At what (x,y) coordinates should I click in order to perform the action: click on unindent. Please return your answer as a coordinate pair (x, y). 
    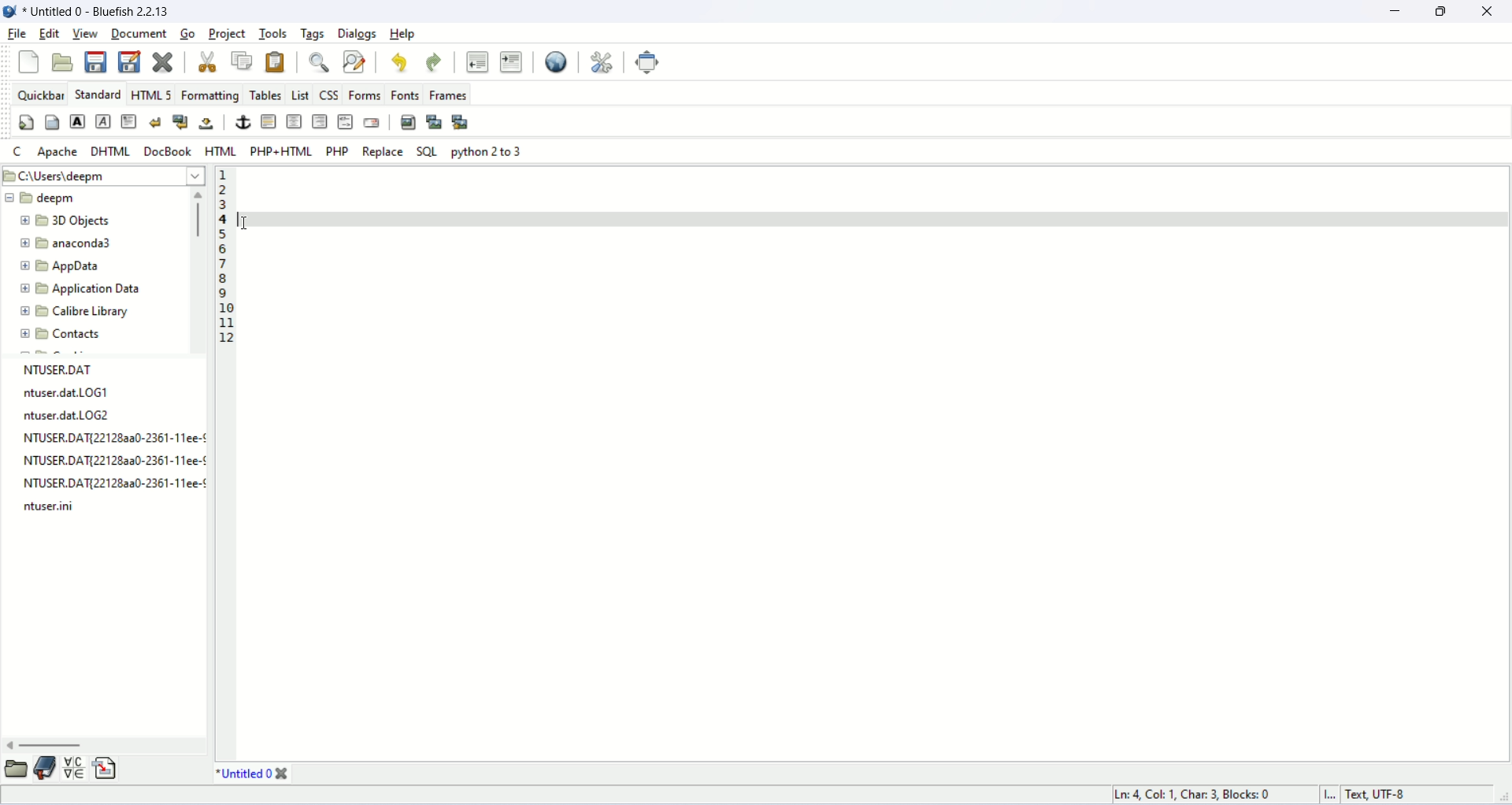
    Looking at the image, I should click on (477, 64).